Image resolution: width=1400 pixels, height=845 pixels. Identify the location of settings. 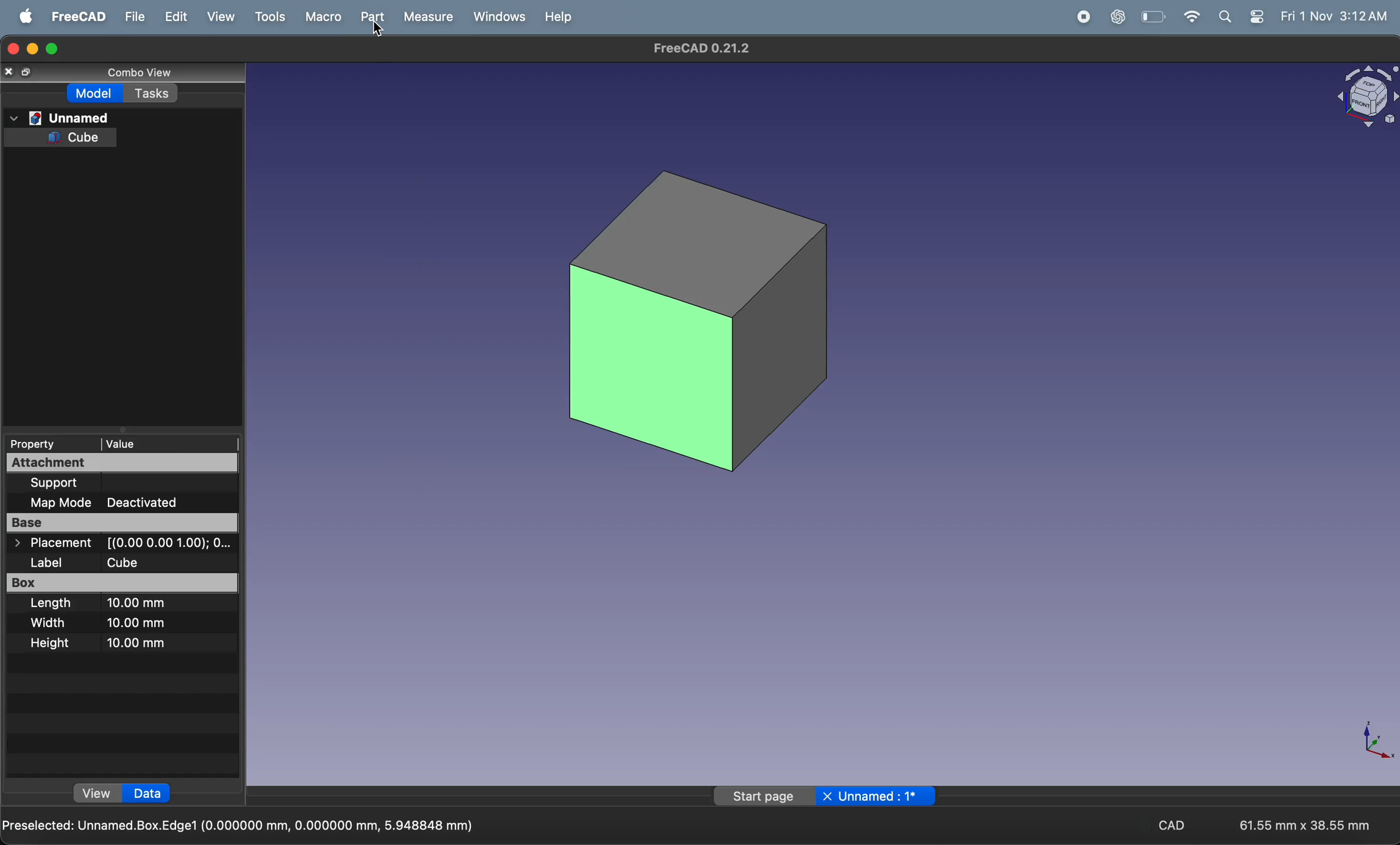
(1254, 17).